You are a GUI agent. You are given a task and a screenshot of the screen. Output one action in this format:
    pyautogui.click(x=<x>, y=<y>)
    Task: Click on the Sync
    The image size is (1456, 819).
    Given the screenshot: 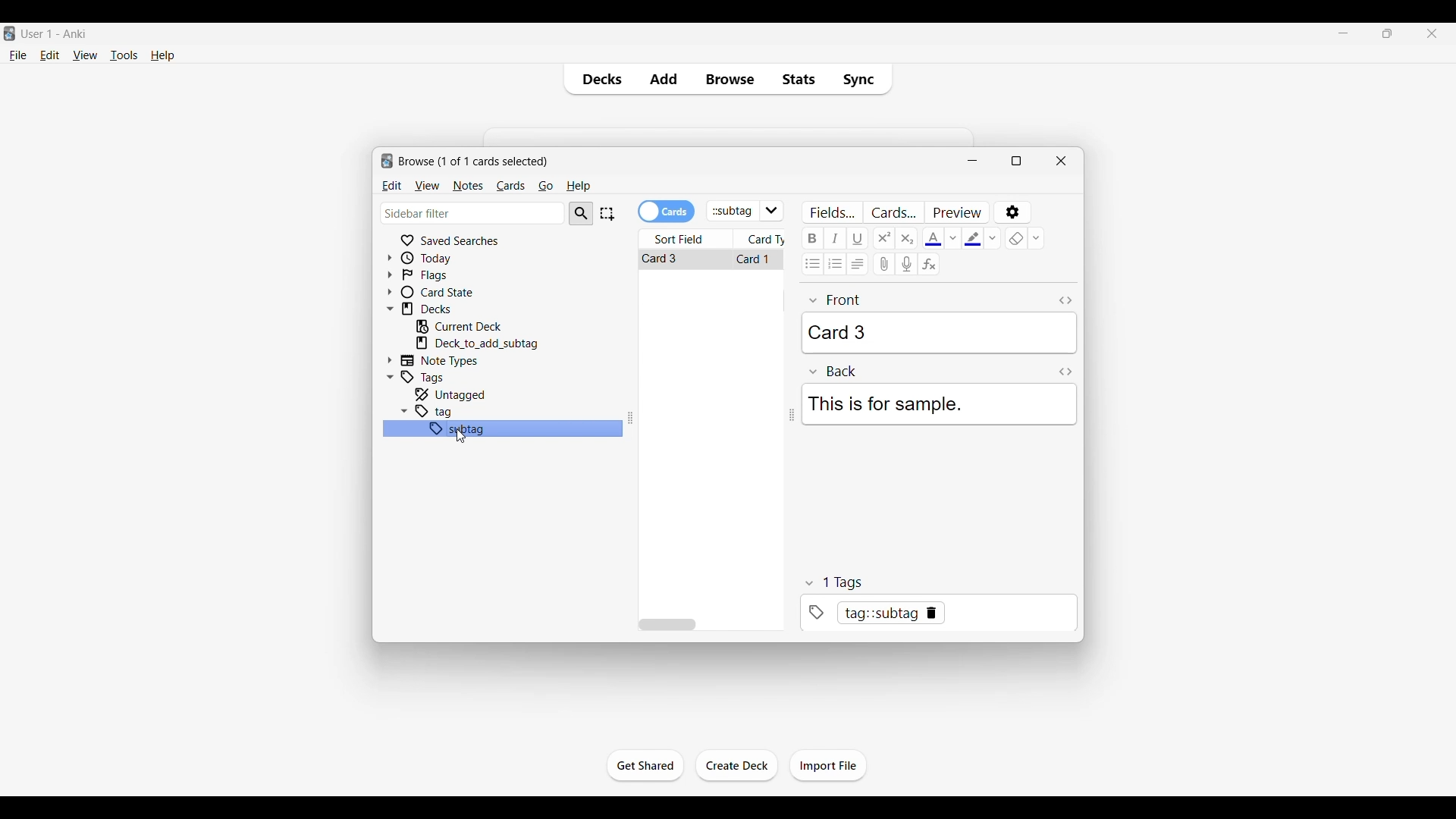 What is the action you would take?
    pyautogui.click(x=862, y=79)
    